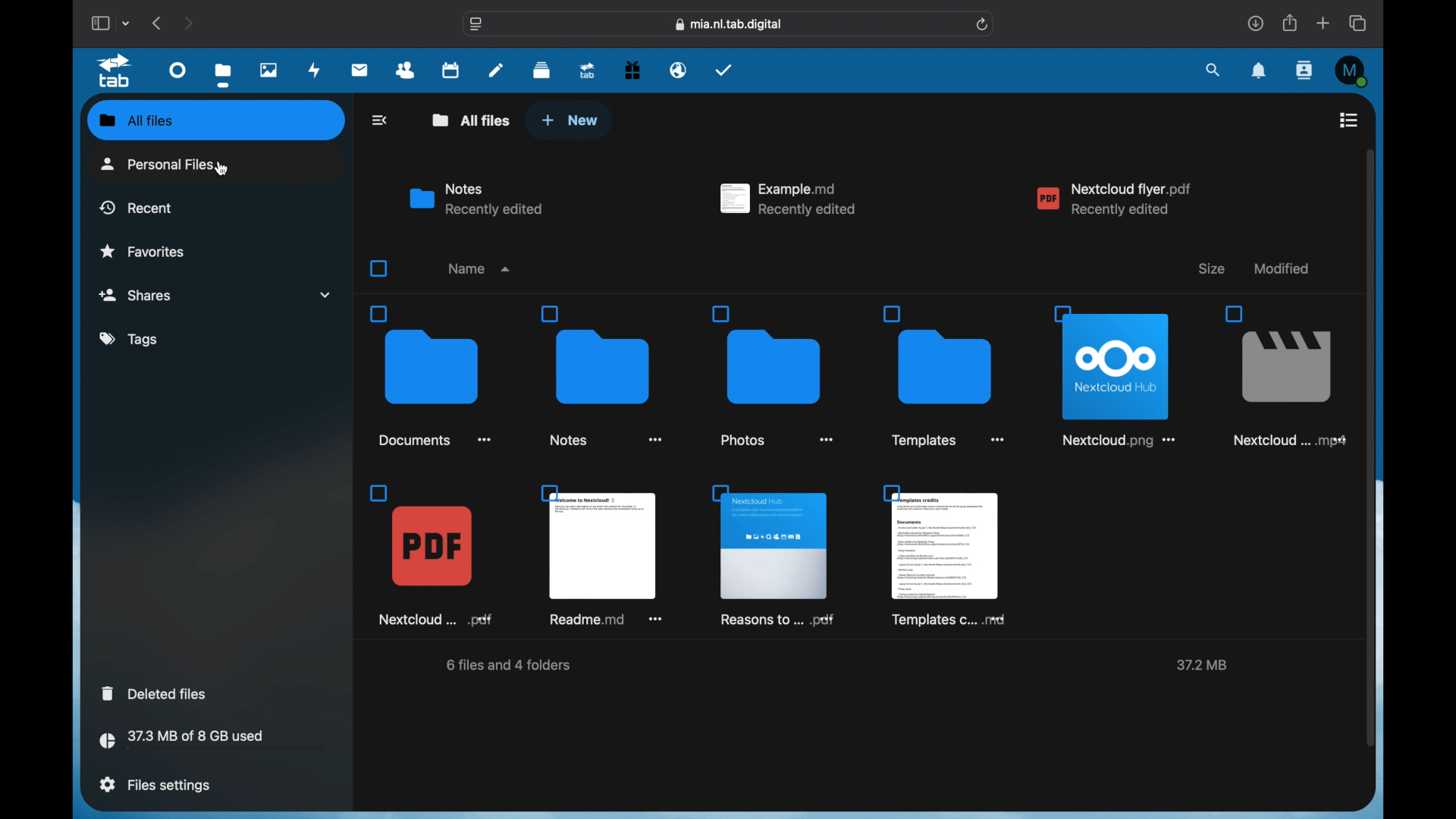  Describe the element at coordinates (156, 693) in the screenshot. I see `deleted` at that location.